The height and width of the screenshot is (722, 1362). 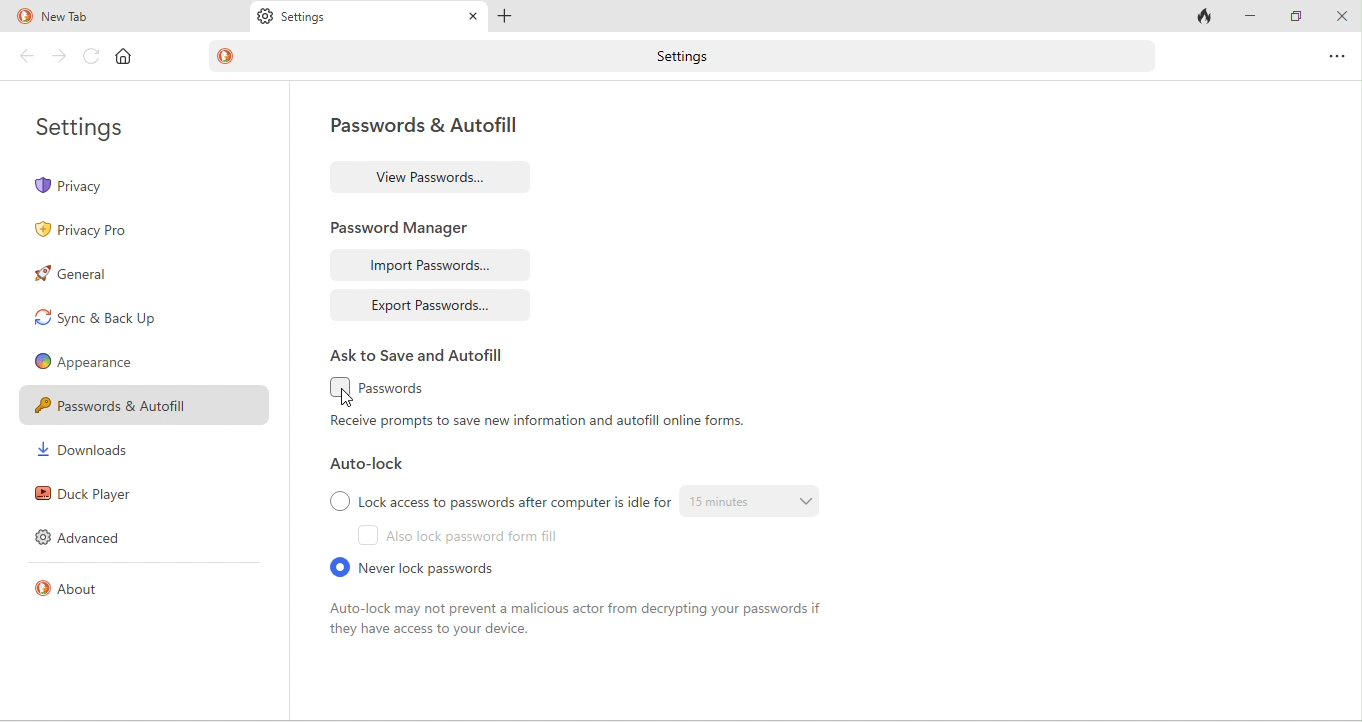 I want to click on options, so click(x=1335, y=53).